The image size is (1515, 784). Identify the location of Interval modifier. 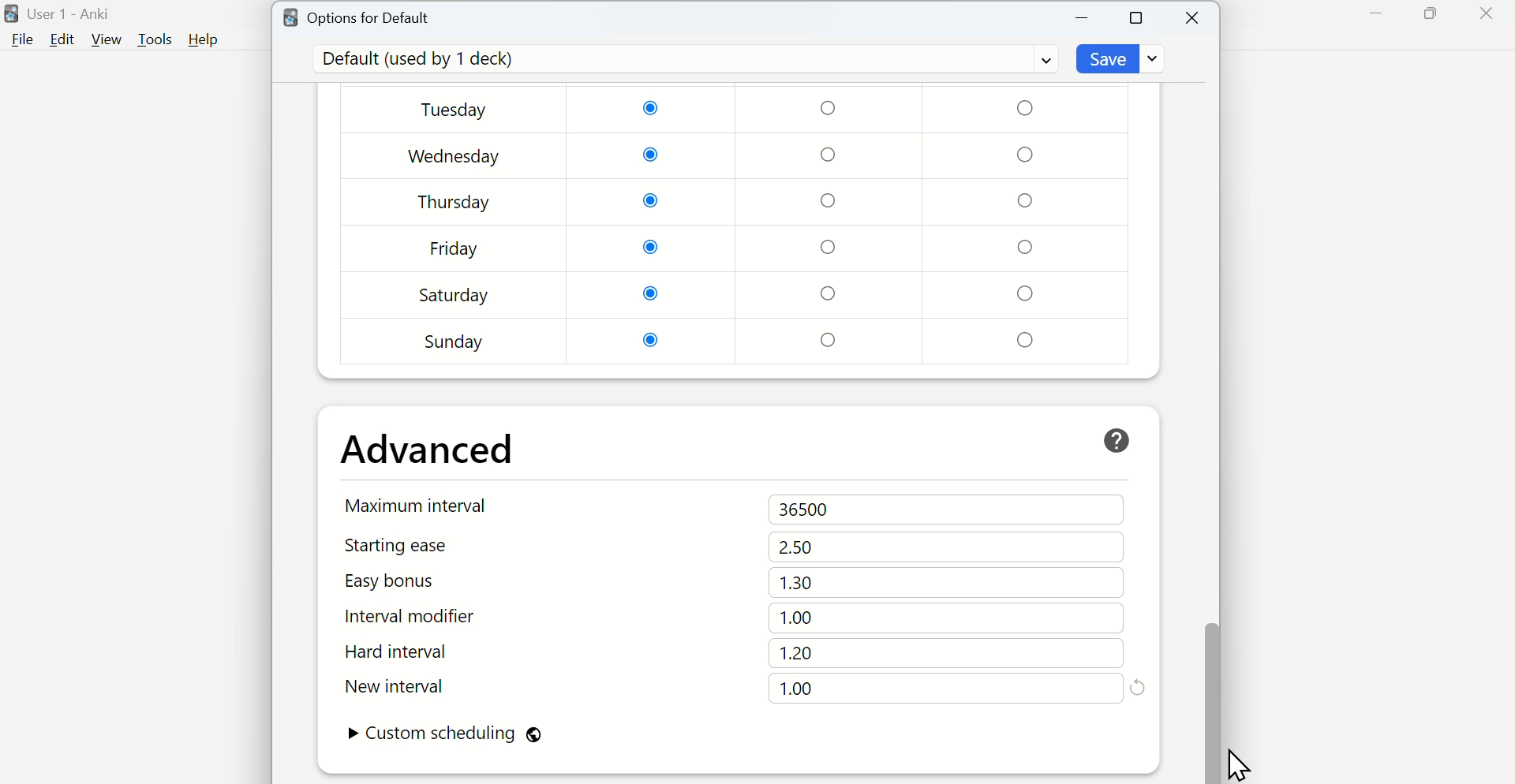
(417, 617).